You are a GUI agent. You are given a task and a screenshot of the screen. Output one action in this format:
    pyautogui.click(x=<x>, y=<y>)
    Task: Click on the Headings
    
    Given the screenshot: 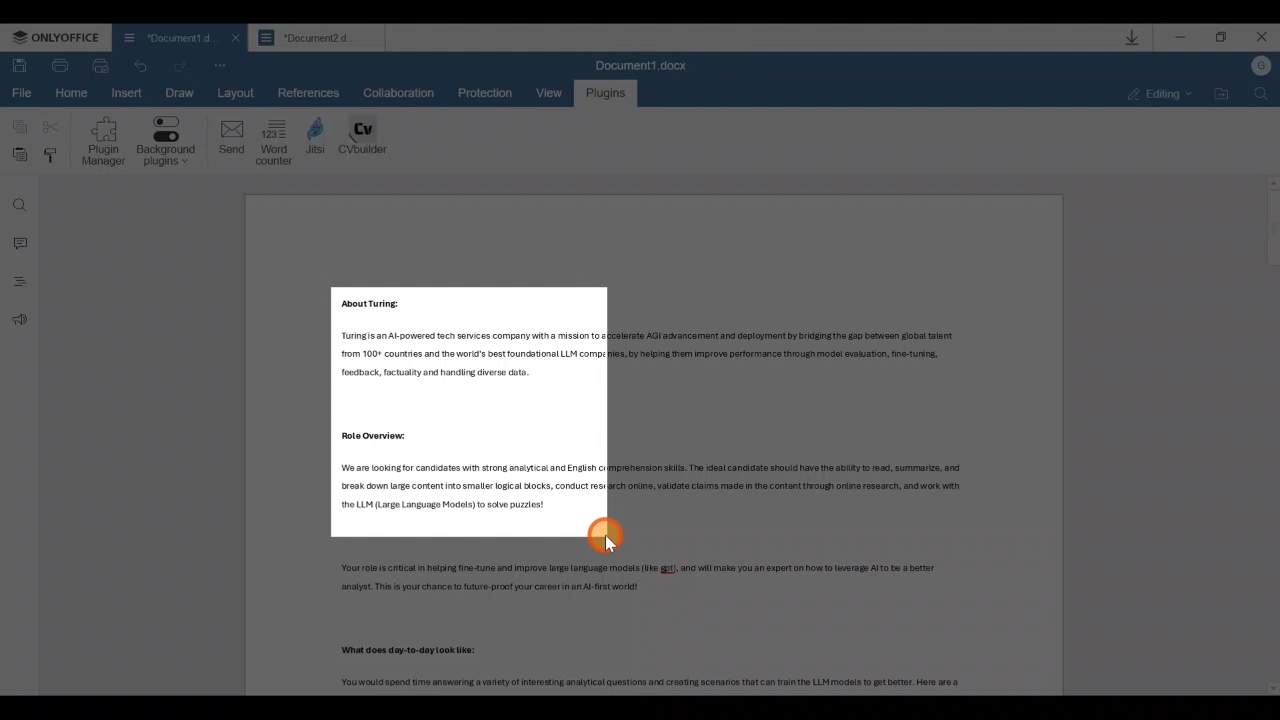 What is the action you would take?
    pyautogui.click(x=18, y=285)
    